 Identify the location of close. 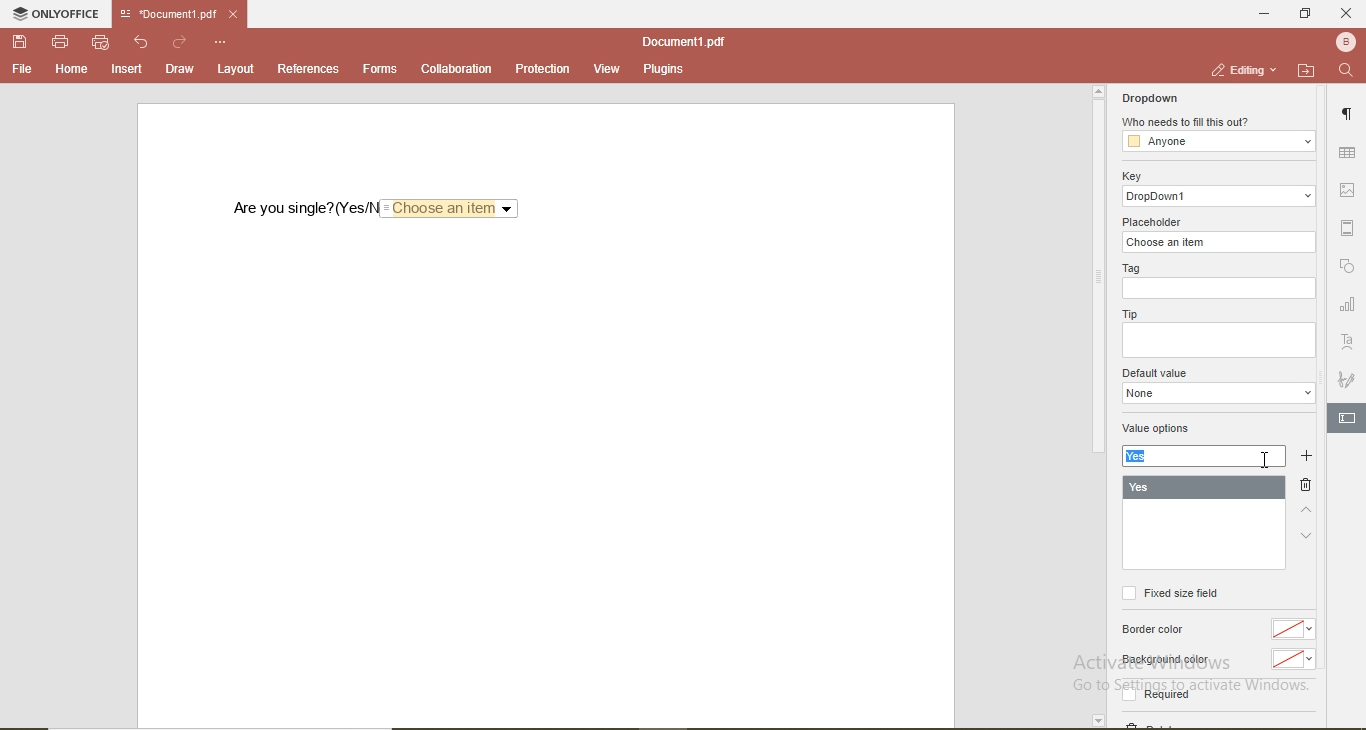
(1347, 14).